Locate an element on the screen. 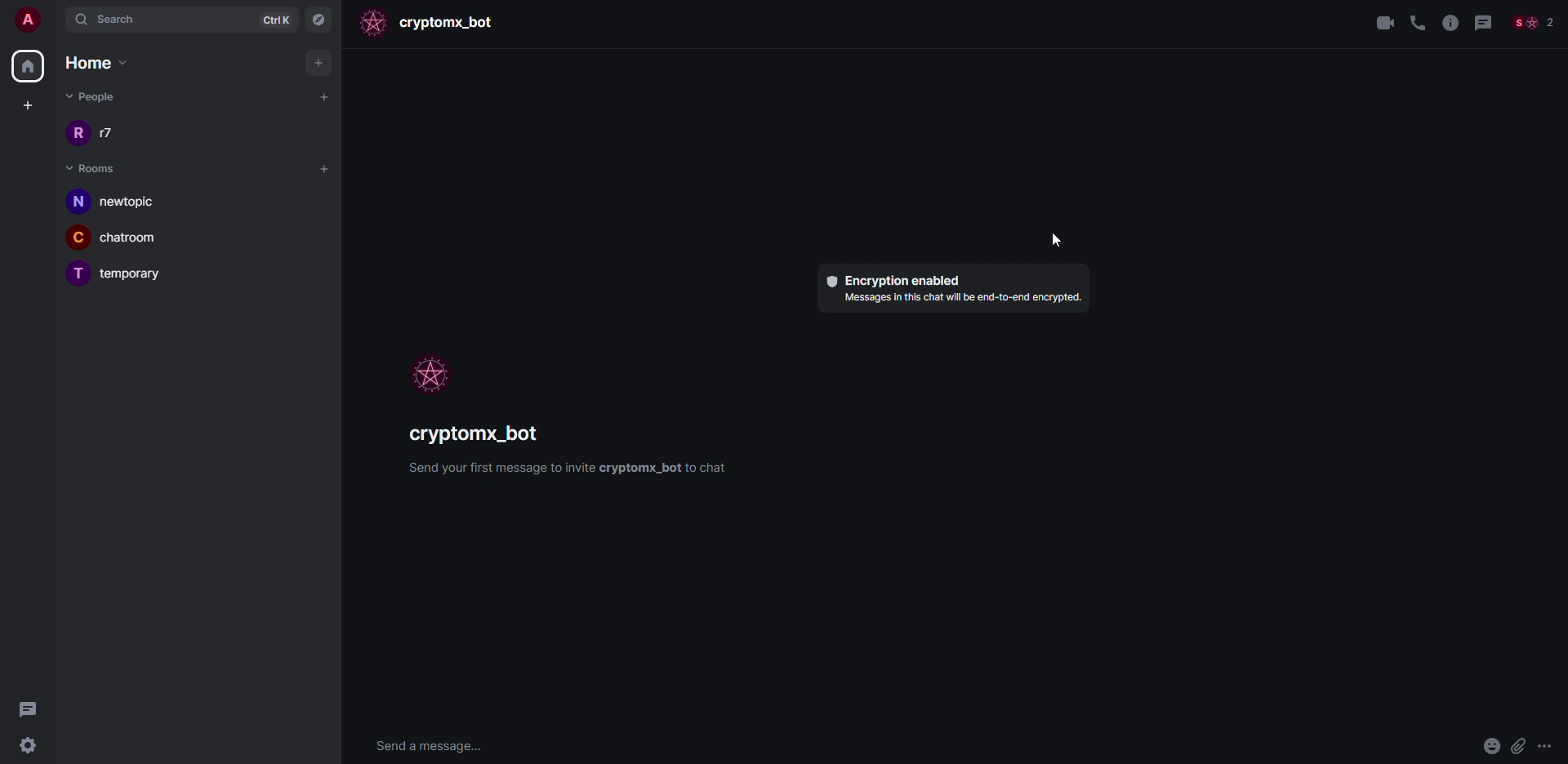  home is located at coordinates (28, 67).